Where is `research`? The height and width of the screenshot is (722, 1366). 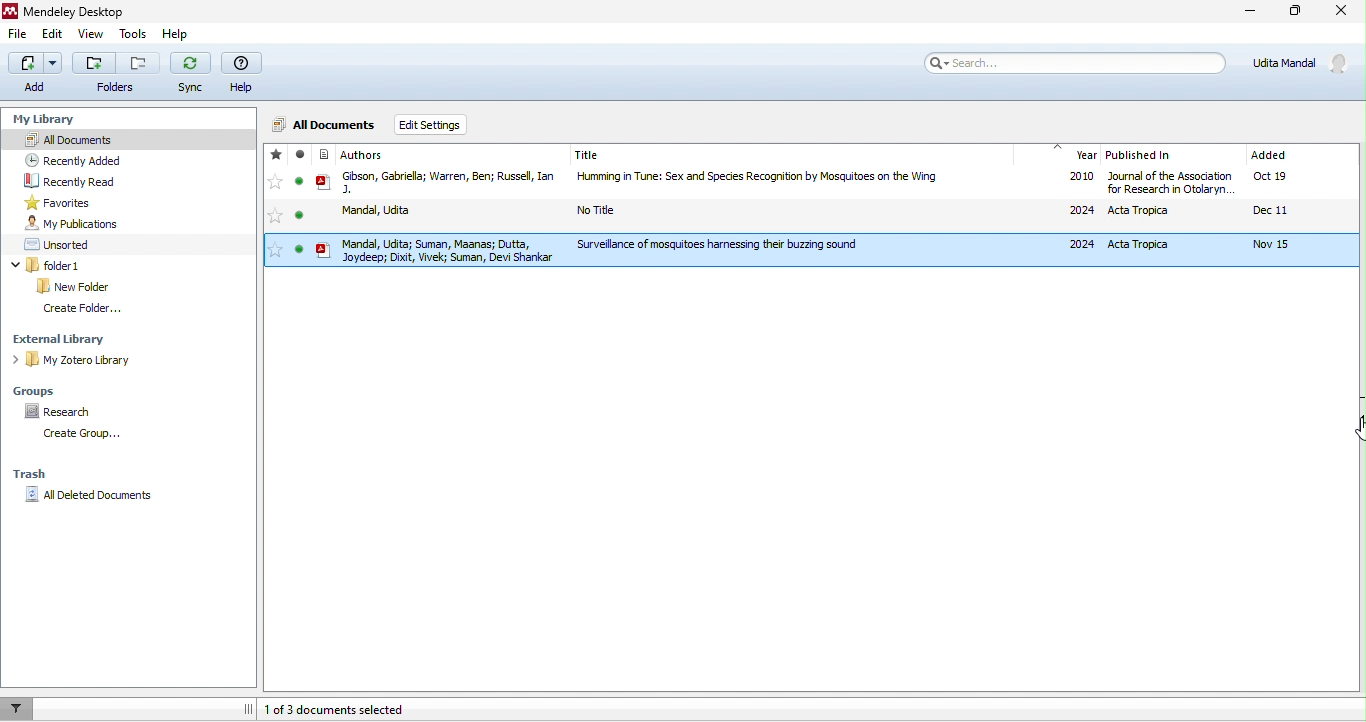 research is located at coordinates (60, 413).